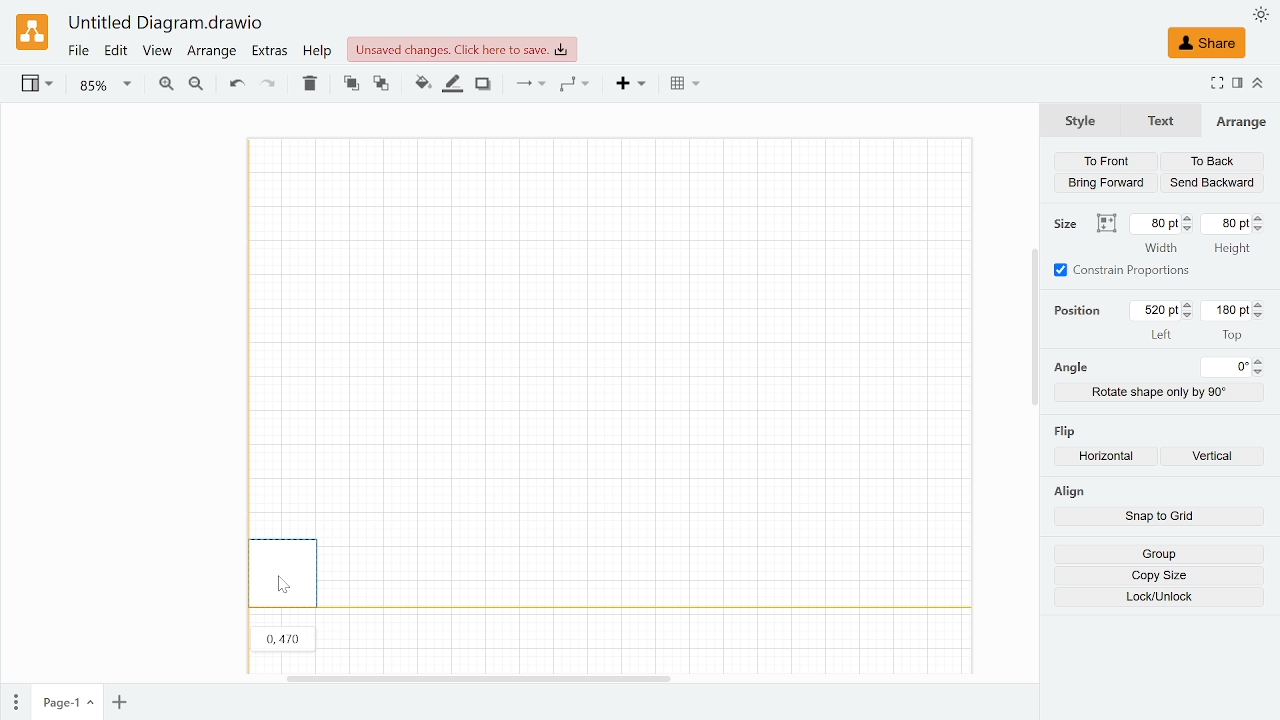 This screenshot has height=720, width=1280. Describe the element at coordinates (1029, 327) in the screenshot. I see `Vertical Scroll Bar` at that location.